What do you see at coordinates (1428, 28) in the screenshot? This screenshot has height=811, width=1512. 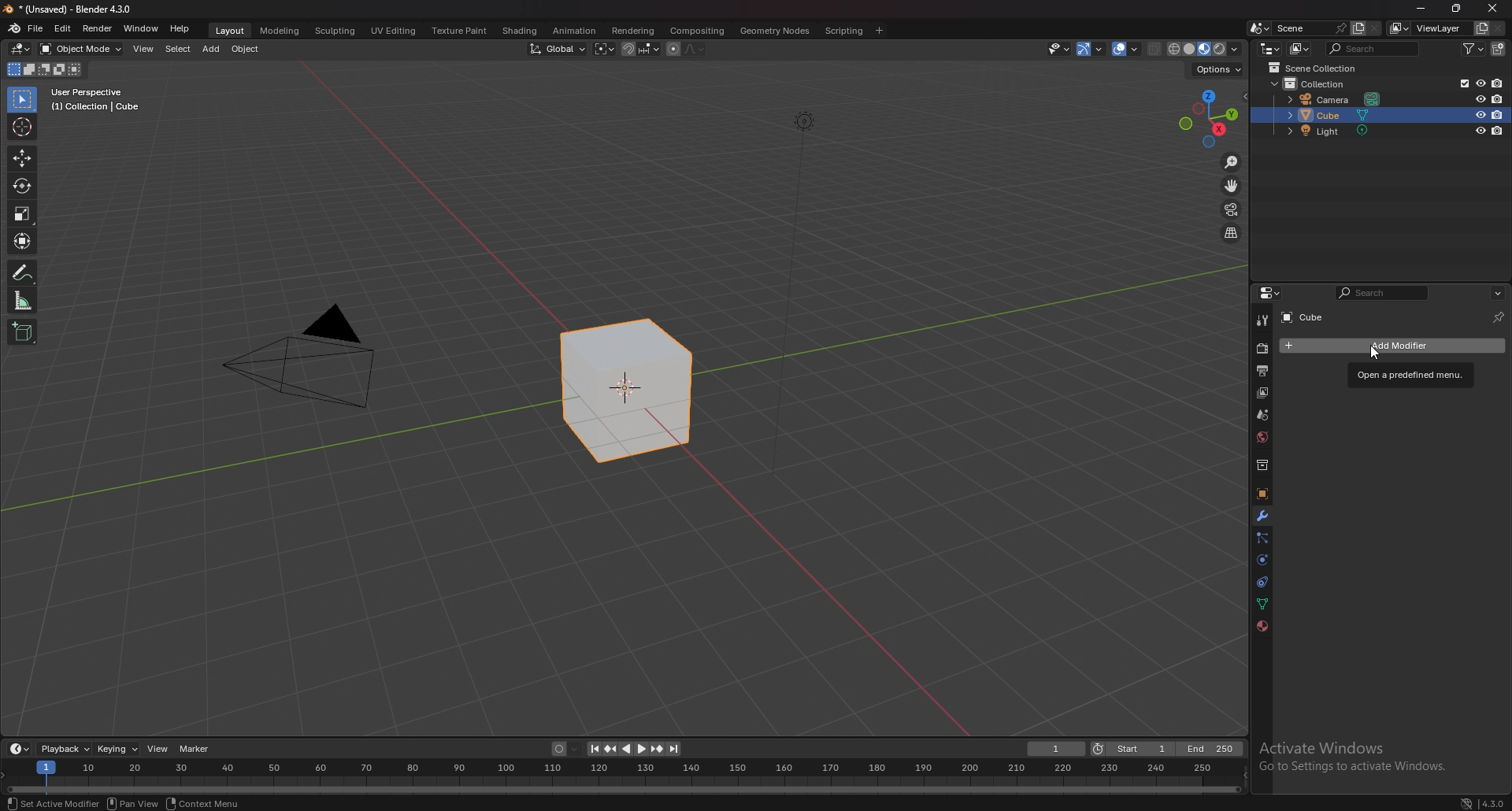 I see `view layer` at bounding box center [1428, 28].